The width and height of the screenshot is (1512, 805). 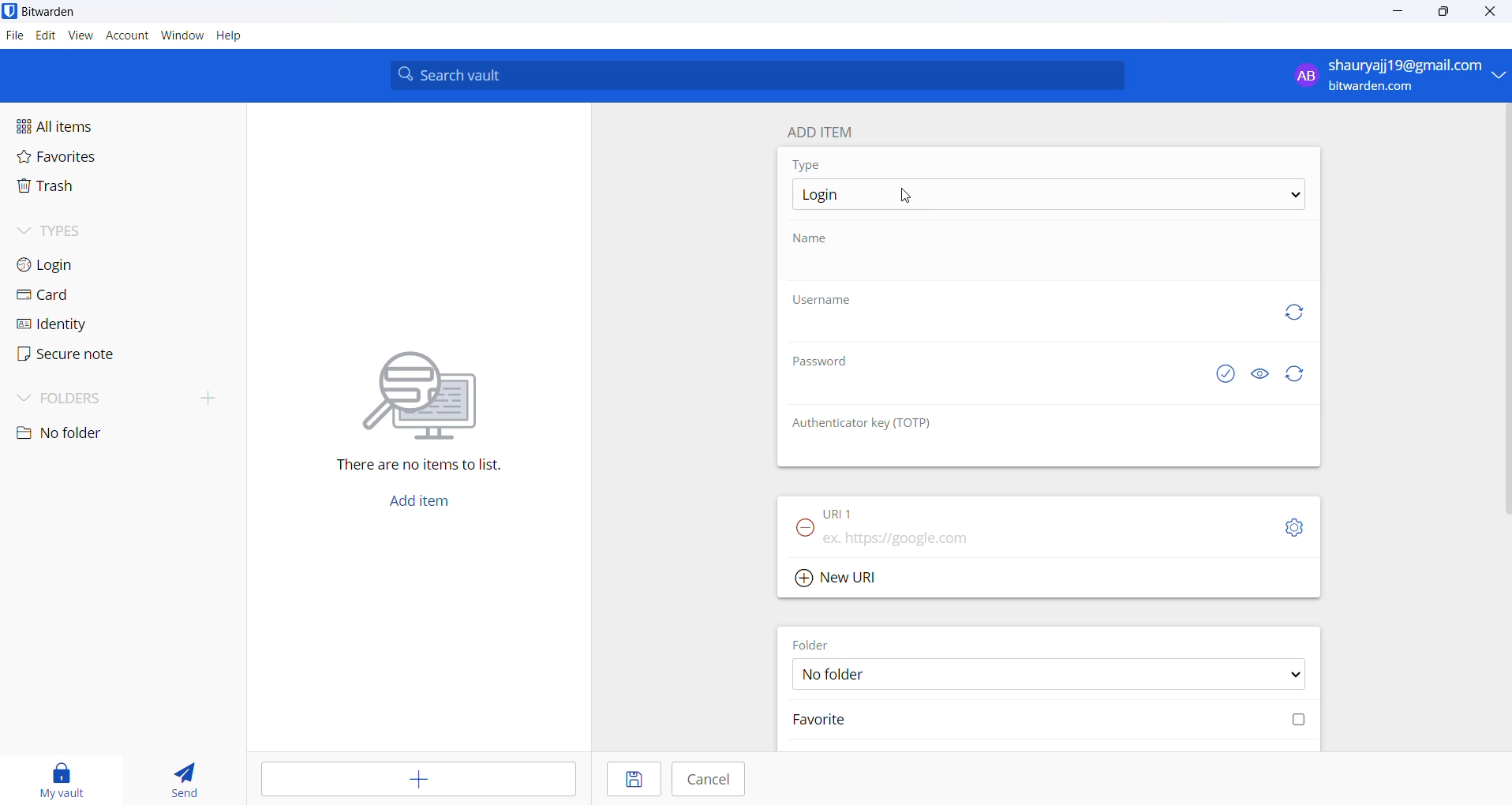 I want to click on trash, so click(x=92, y=188).